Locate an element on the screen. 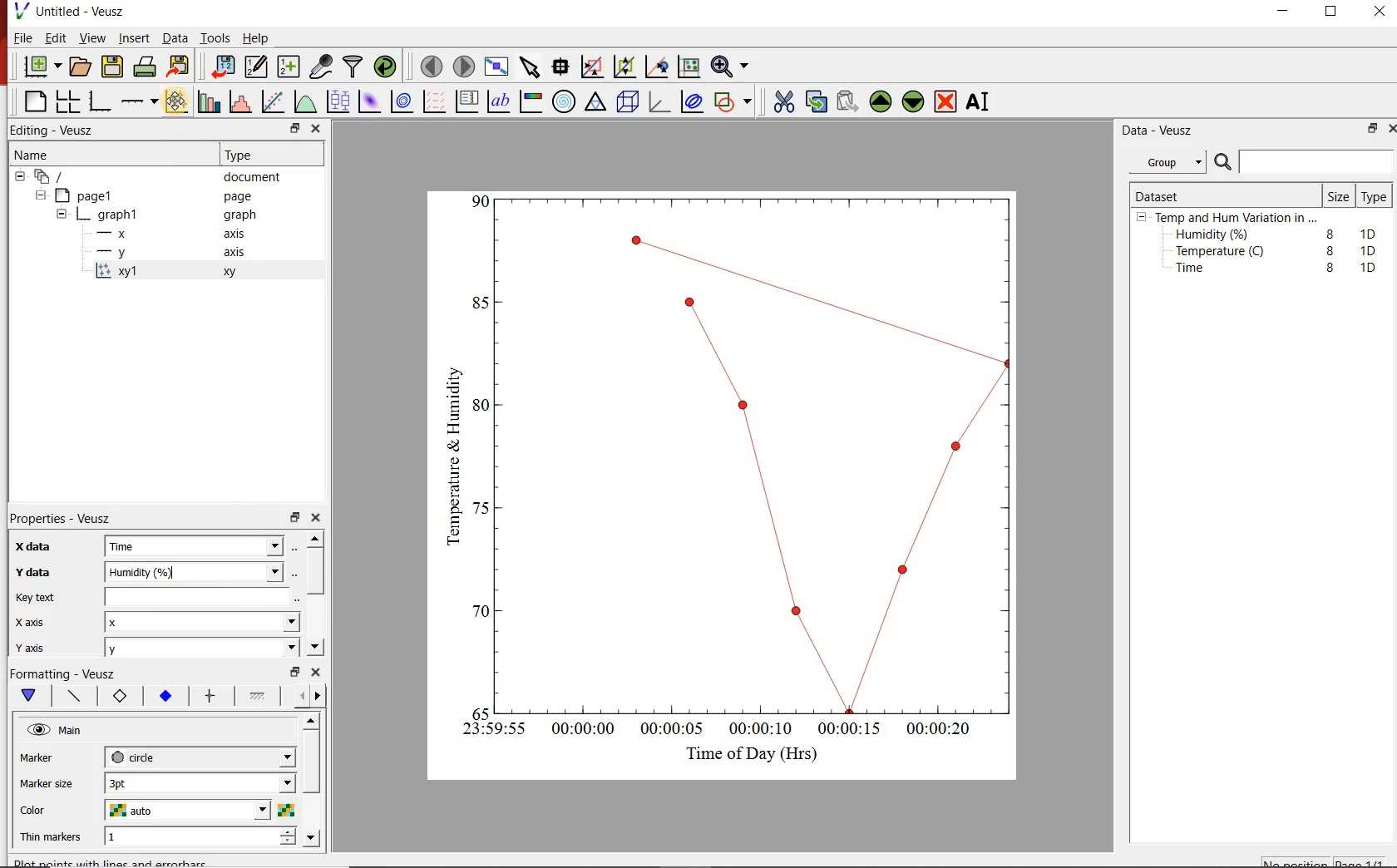  Time of Day (Hrs) is located at coordinates (745, 753).